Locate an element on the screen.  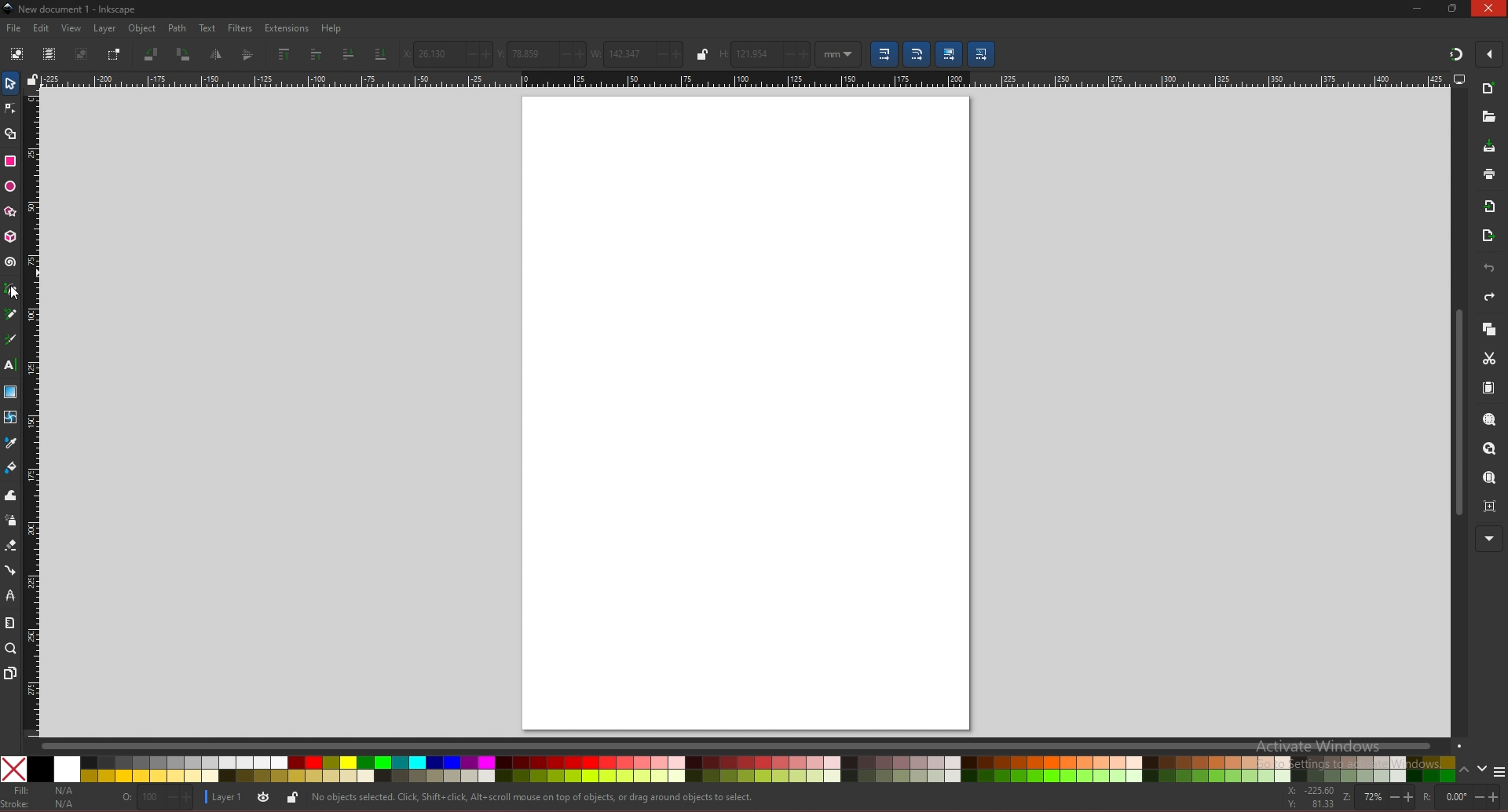
select all objects is located at coordinates (17, 52).